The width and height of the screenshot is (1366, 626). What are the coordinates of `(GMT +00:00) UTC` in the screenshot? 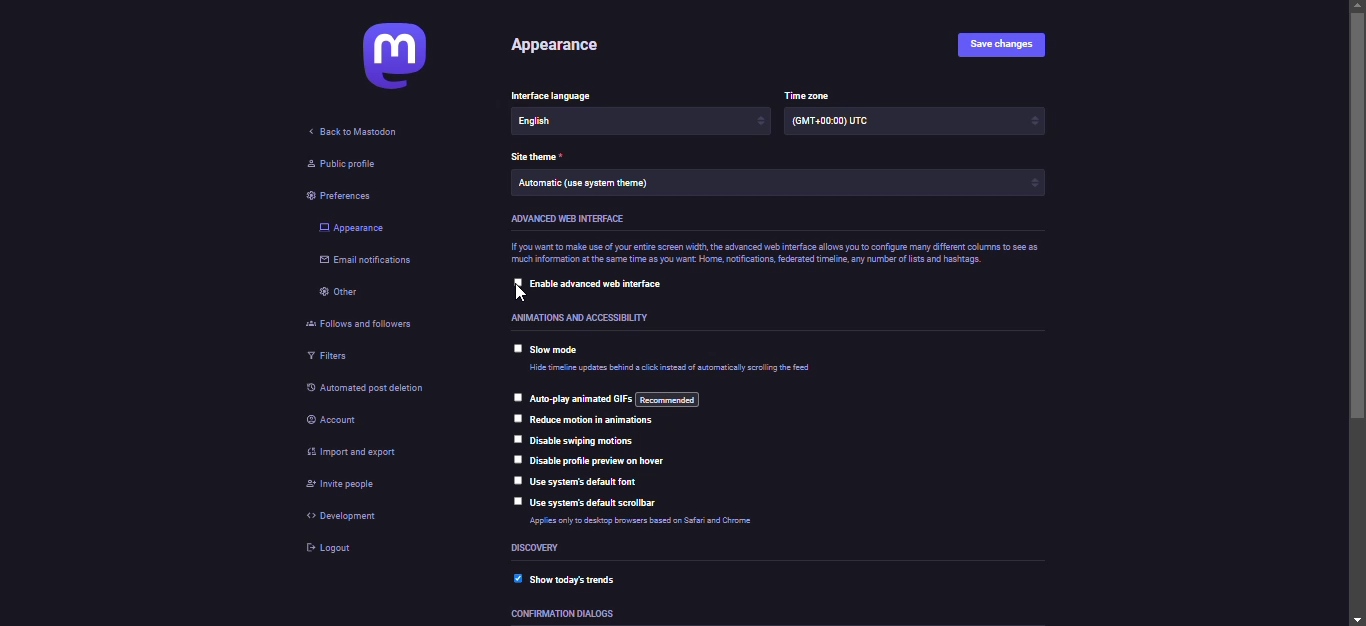 It's located at (900, 121).